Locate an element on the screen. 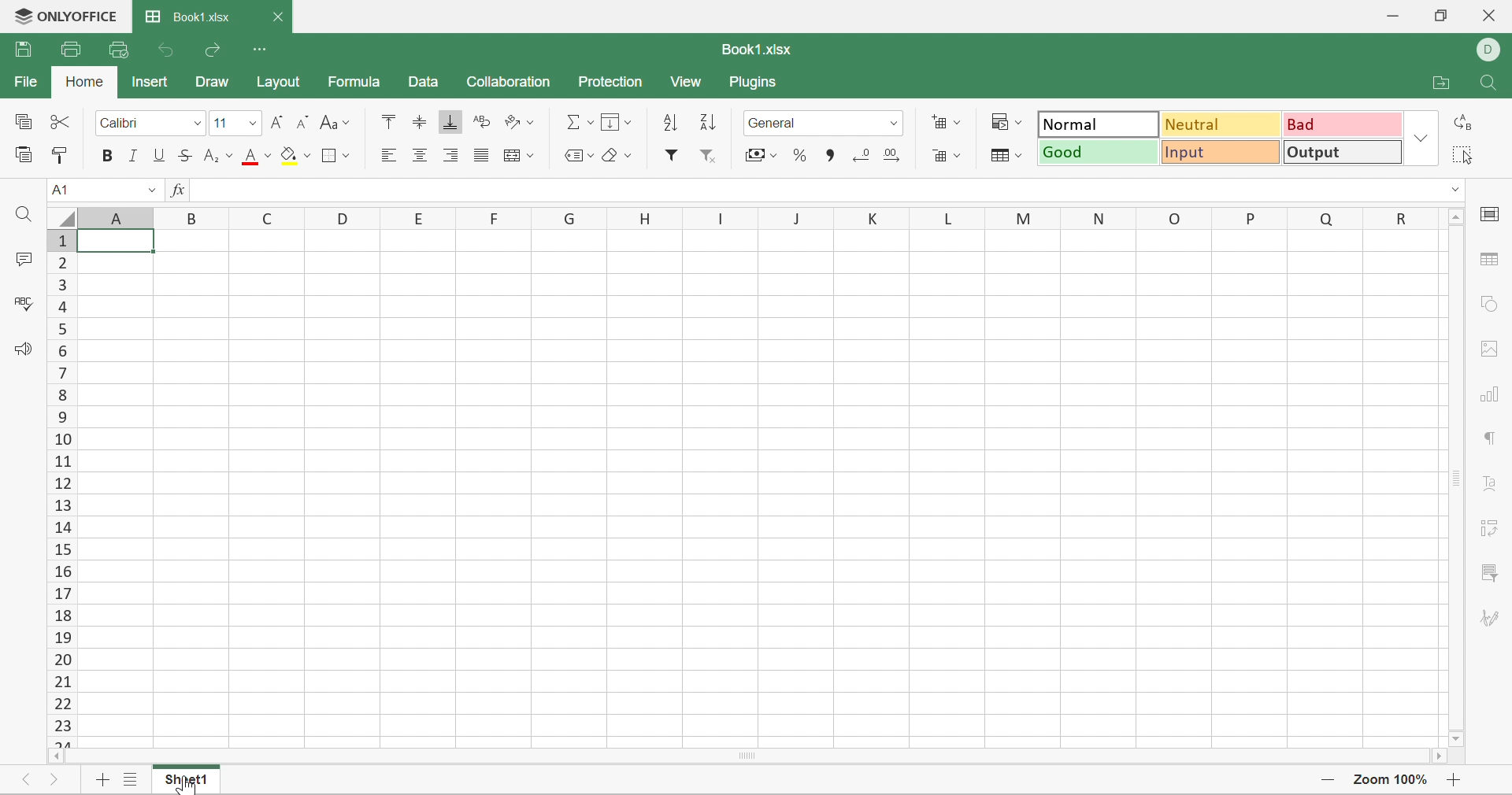 This screenshot has width=1512, height=795. 1 is located at coordinates (58, 242).